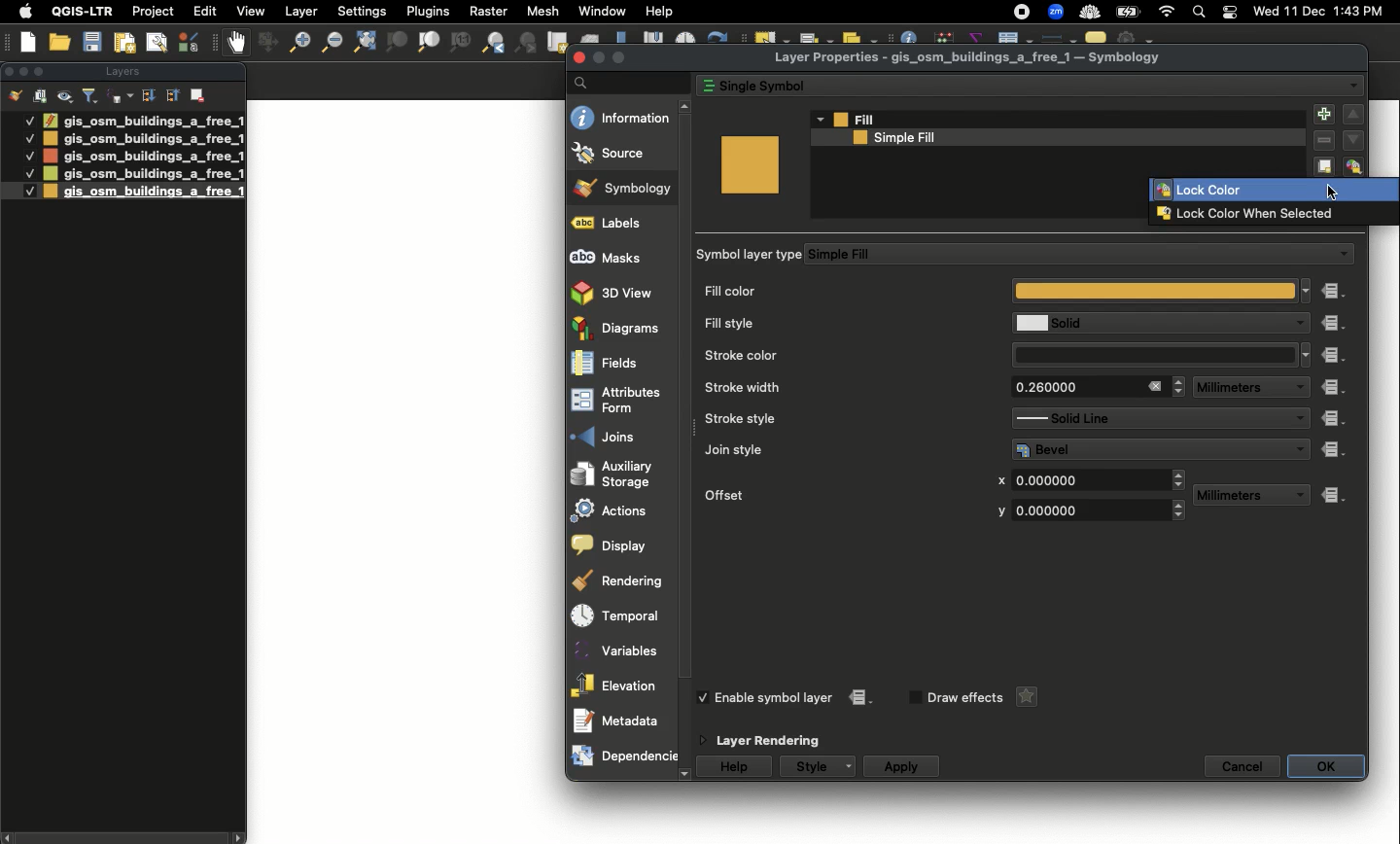  I want to click on  0.000000, so click(1084, 510).